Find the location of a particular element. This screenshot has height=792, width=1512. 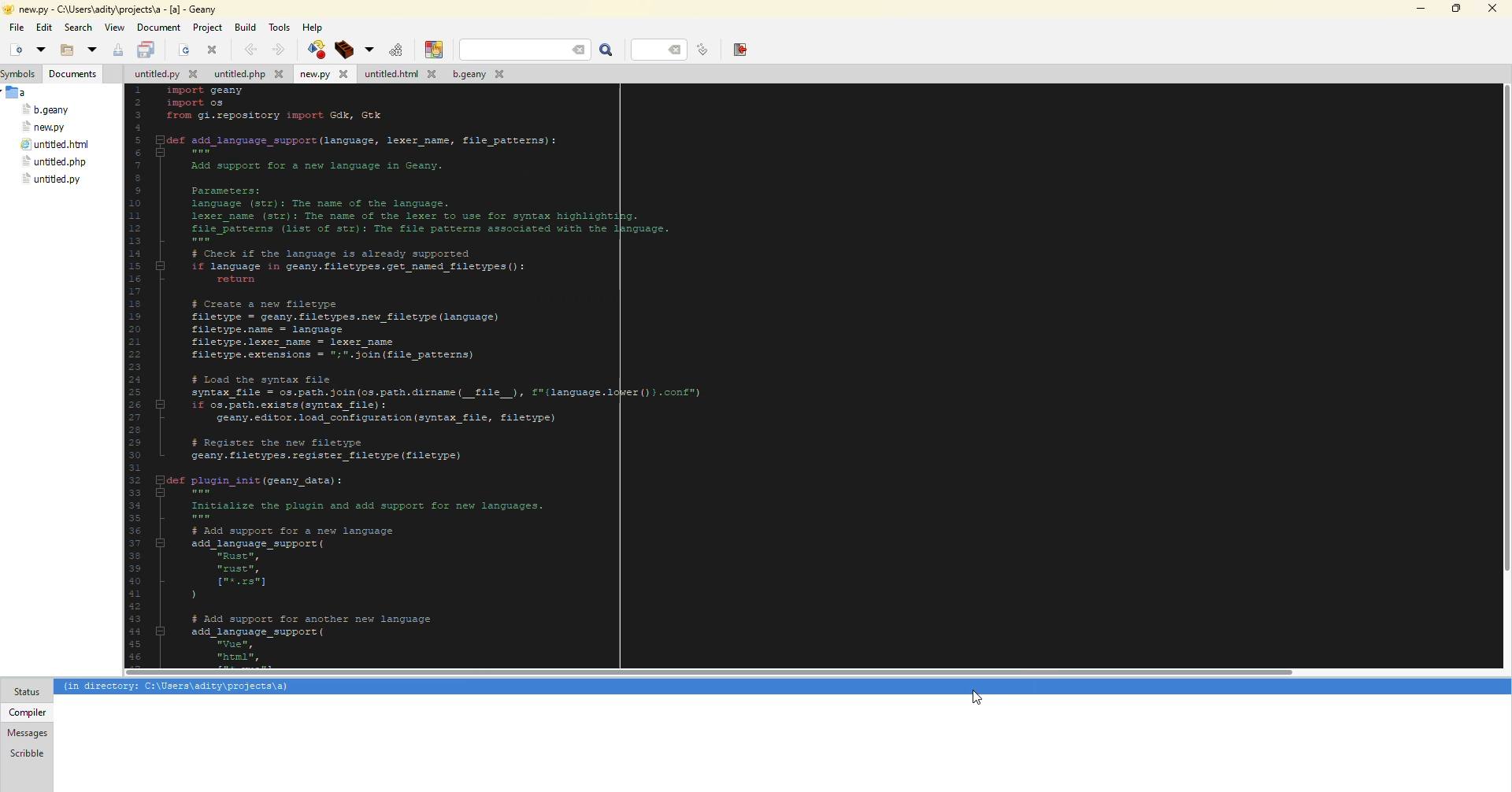

file is located at coordinates (17, 28).